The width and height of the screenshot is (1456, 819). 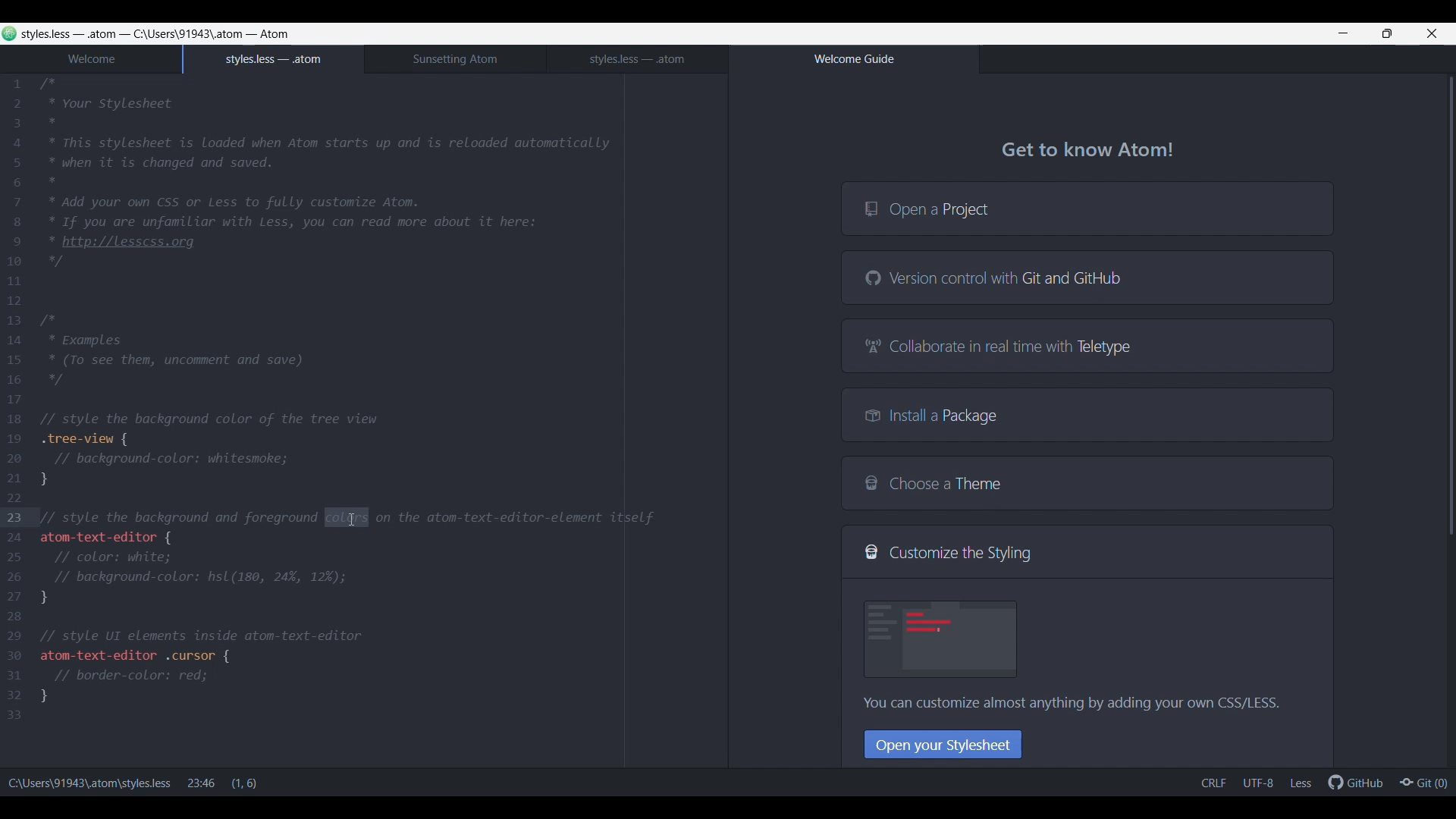 I want to click on directory path, so click(x=189, y=34).